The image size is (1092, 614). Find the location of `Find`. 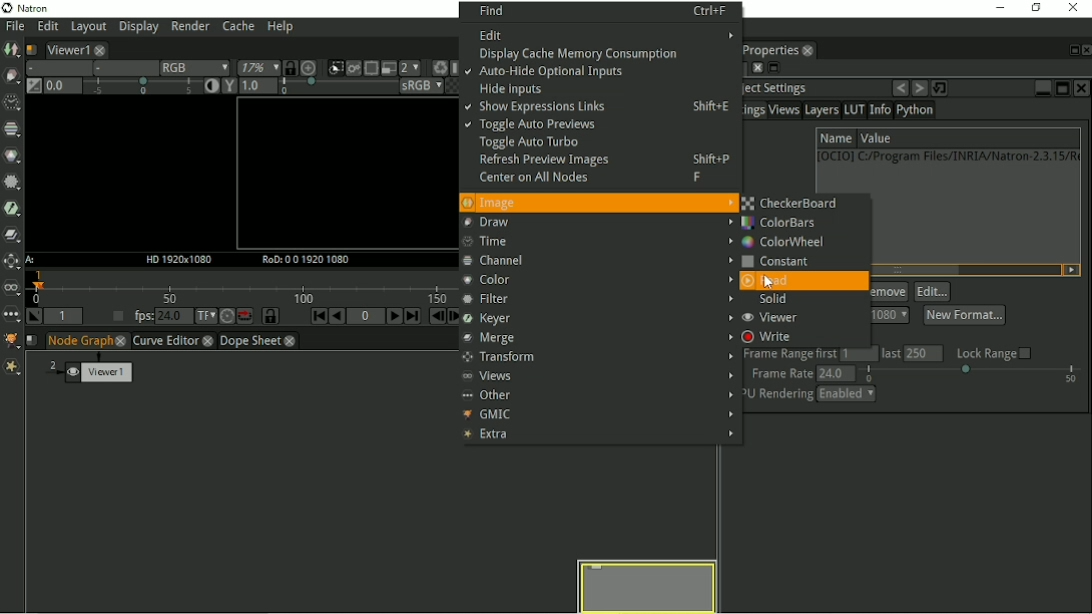

Find is located at coordinates (603, 10).